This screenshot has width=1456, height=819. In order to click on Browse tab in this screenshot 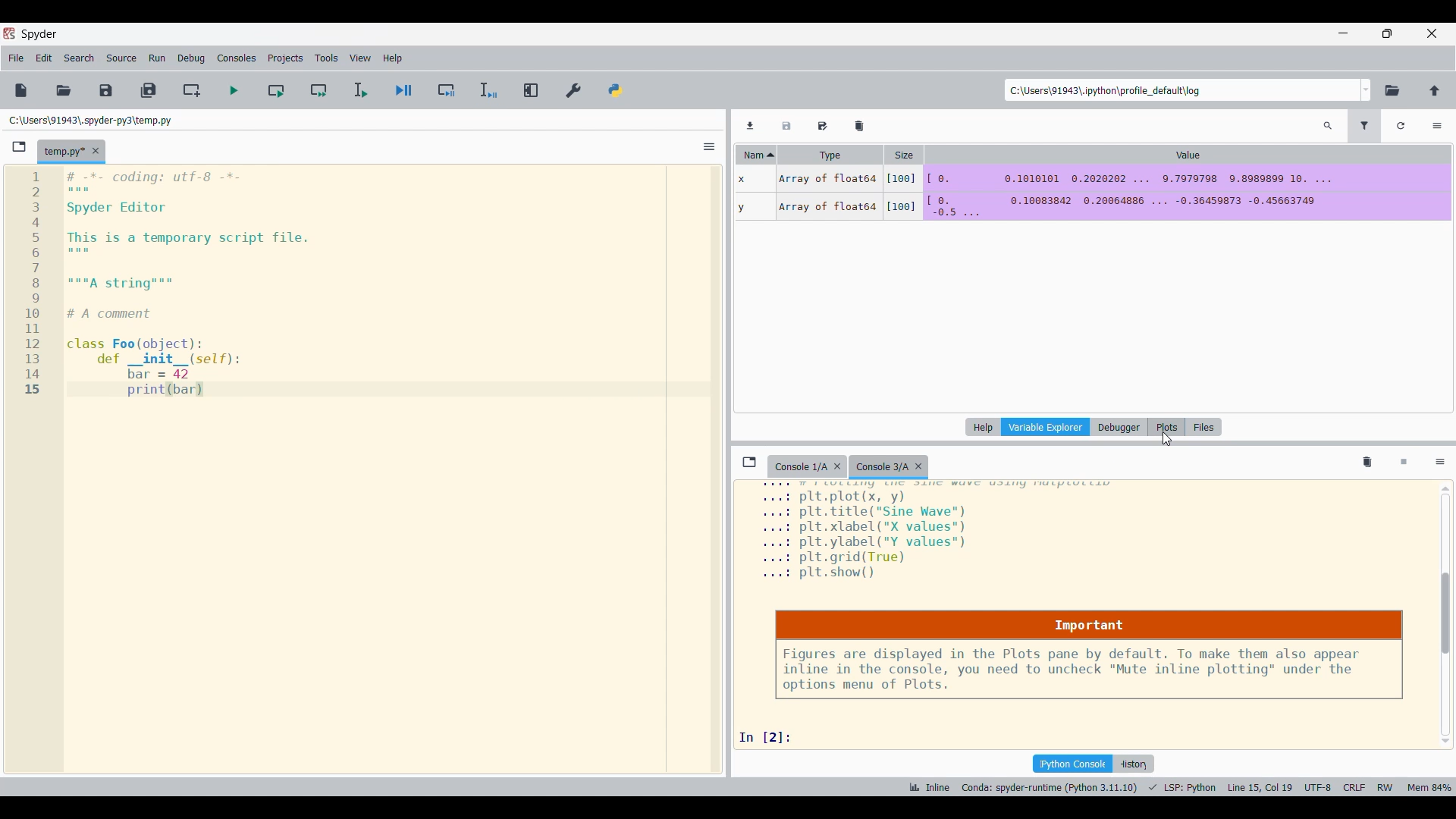, I will do `click(20, 147)`.